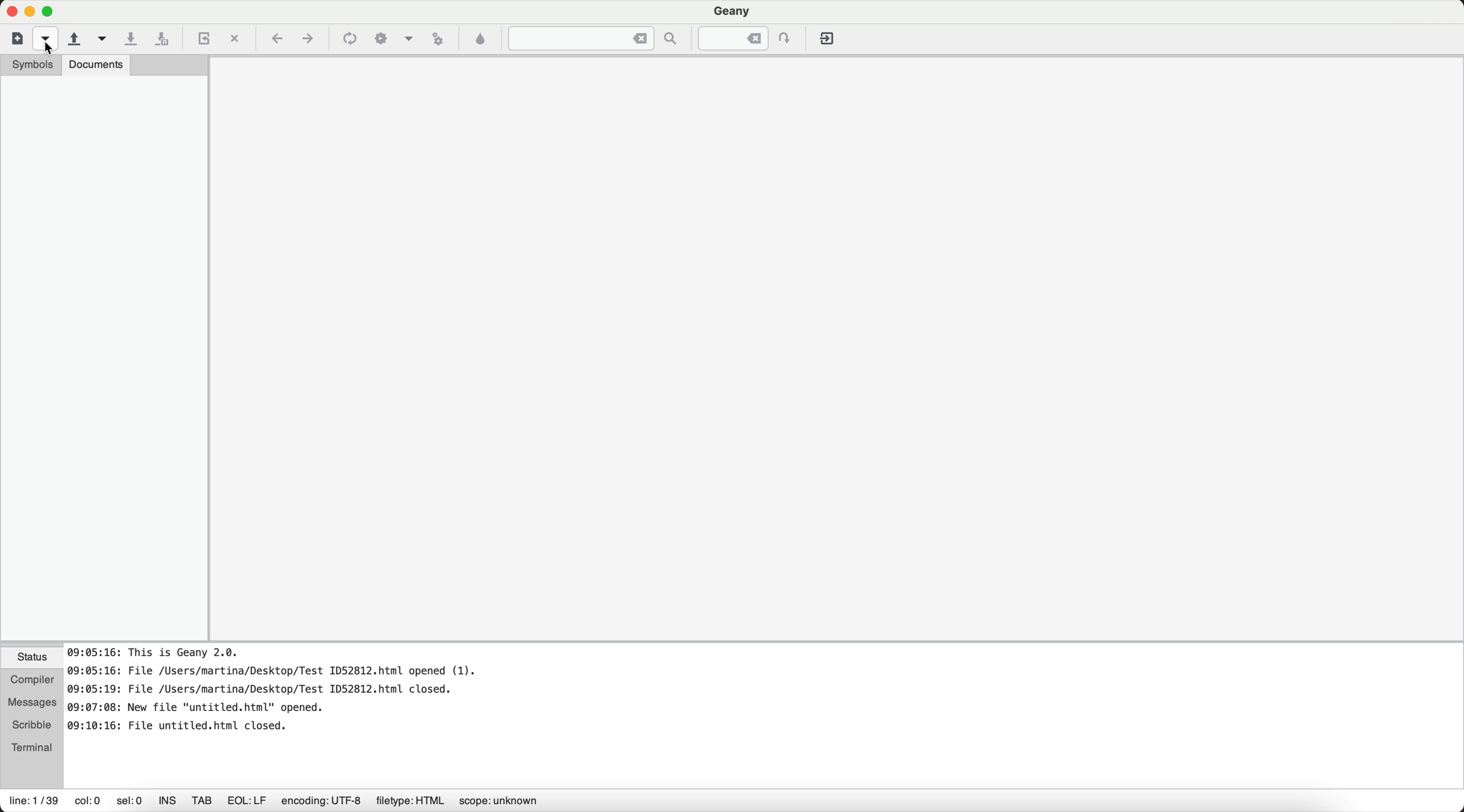 The width and height of the screenshot is (1464, 812). Describe the element at coordinates (410, 41) in the screenshot. I see `choose more build actions` at that location.